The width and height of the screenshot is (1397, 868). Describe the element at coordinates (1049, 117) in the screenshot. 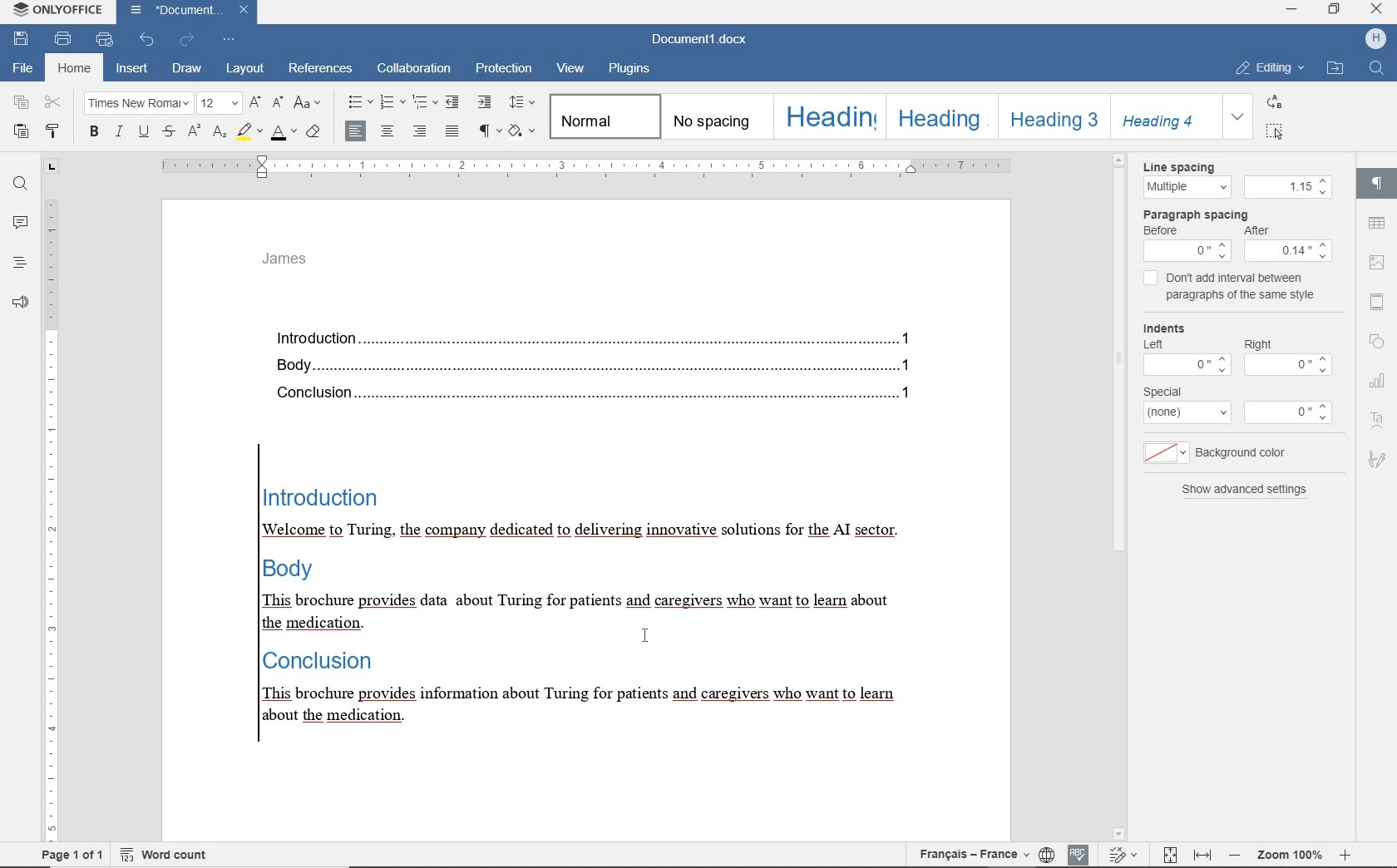

I see `heading 3` at that location.